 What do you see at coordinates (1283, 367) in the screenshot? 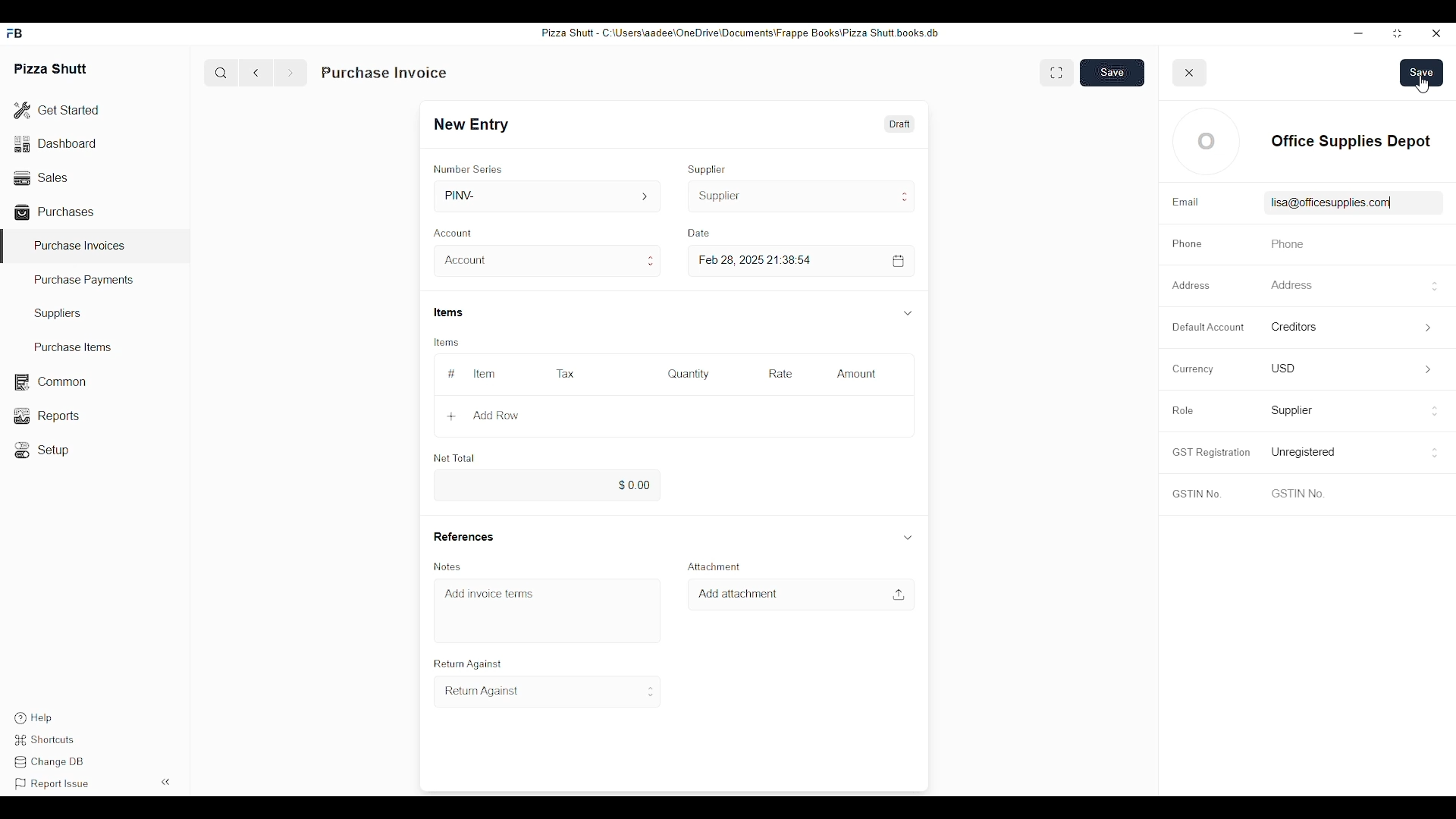
I see `USD` at bounding box center [1283, 367].